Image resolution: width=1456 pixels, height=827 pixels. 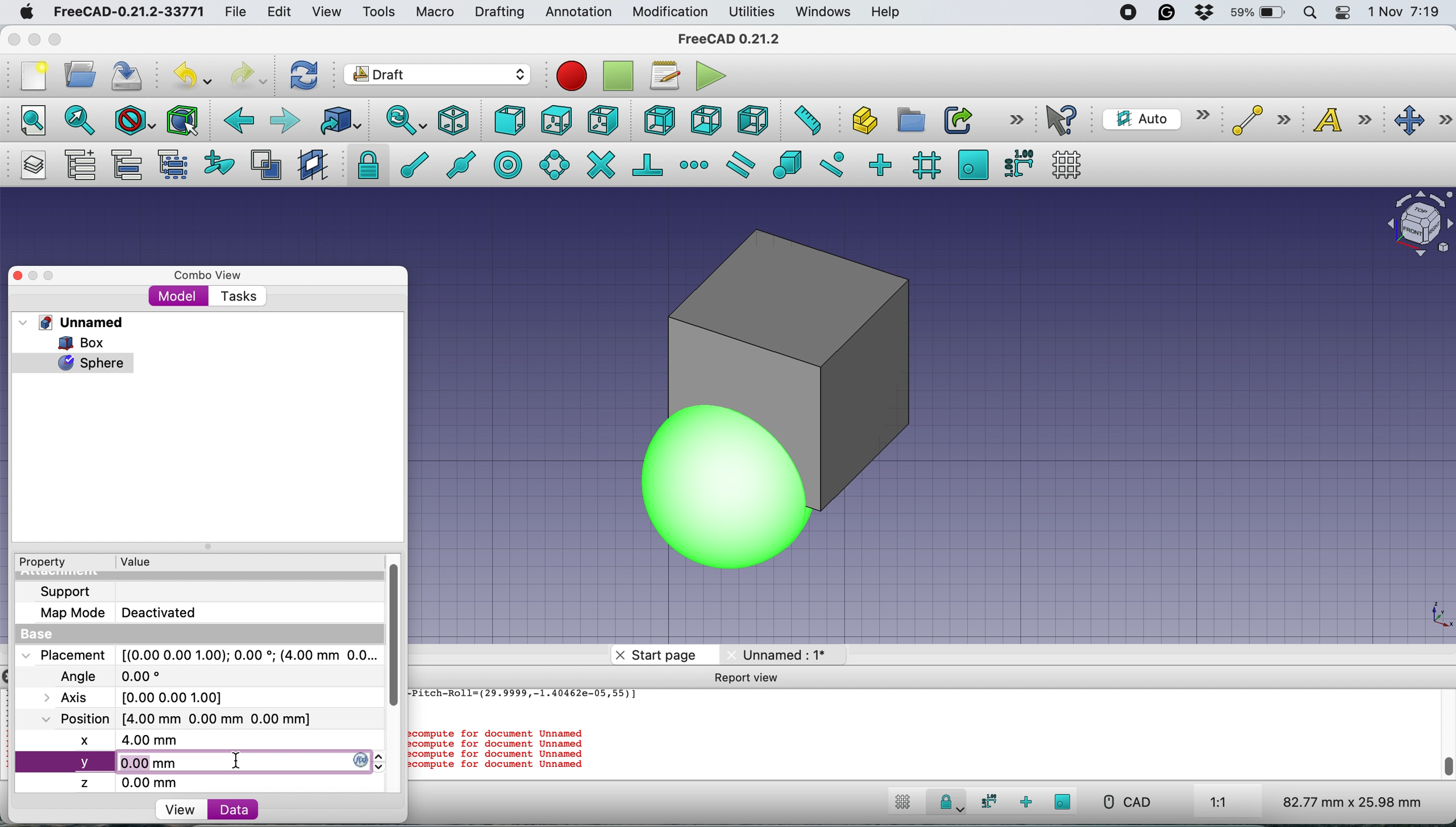 I want to click on angle, so click(x=116, y=678).